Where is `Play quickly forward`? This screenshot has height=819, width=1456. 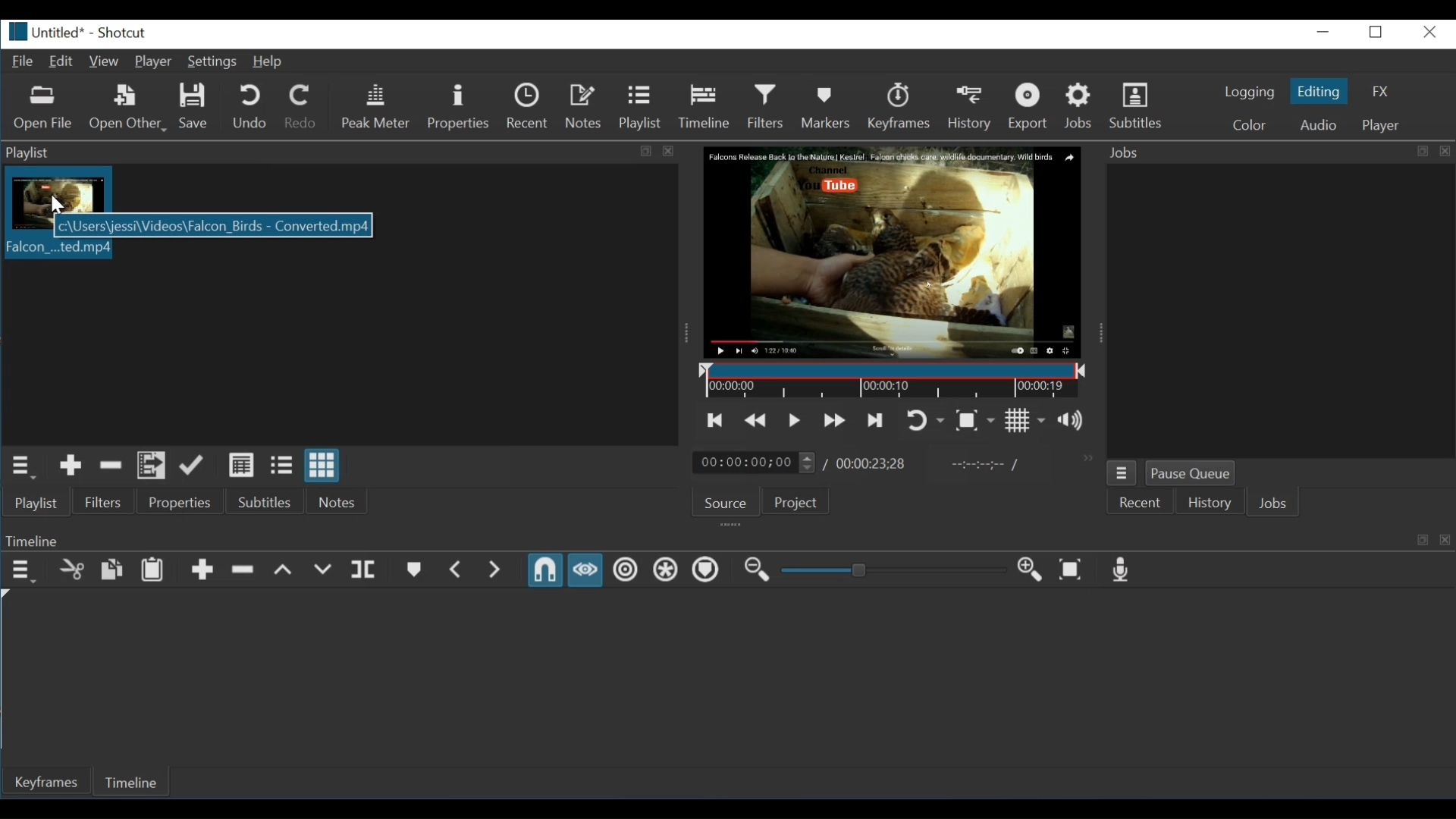 Play quickly forward is located at coordinates (835, 419).